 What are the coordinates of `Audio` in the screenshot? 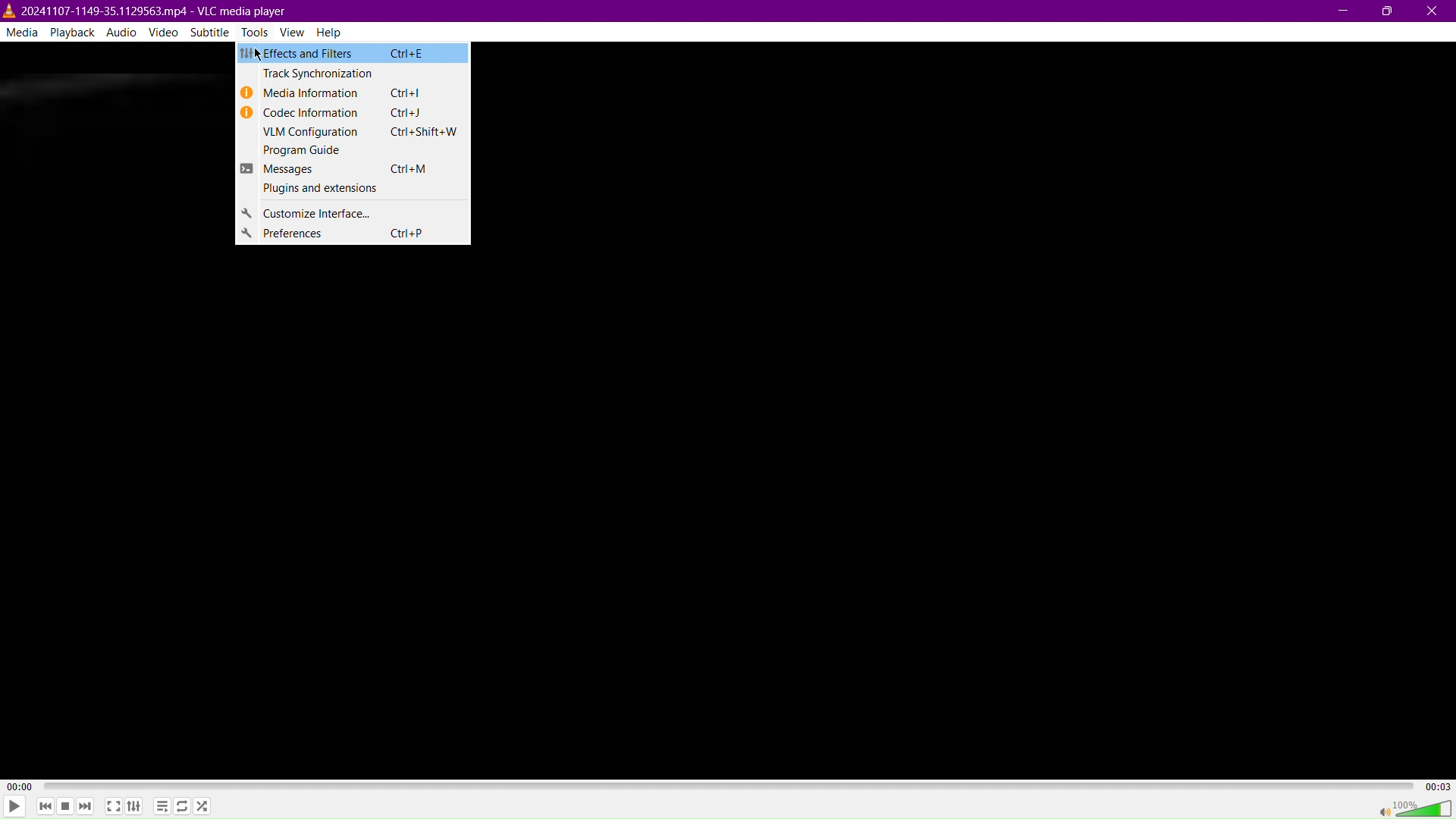 It's located at (121, 32).